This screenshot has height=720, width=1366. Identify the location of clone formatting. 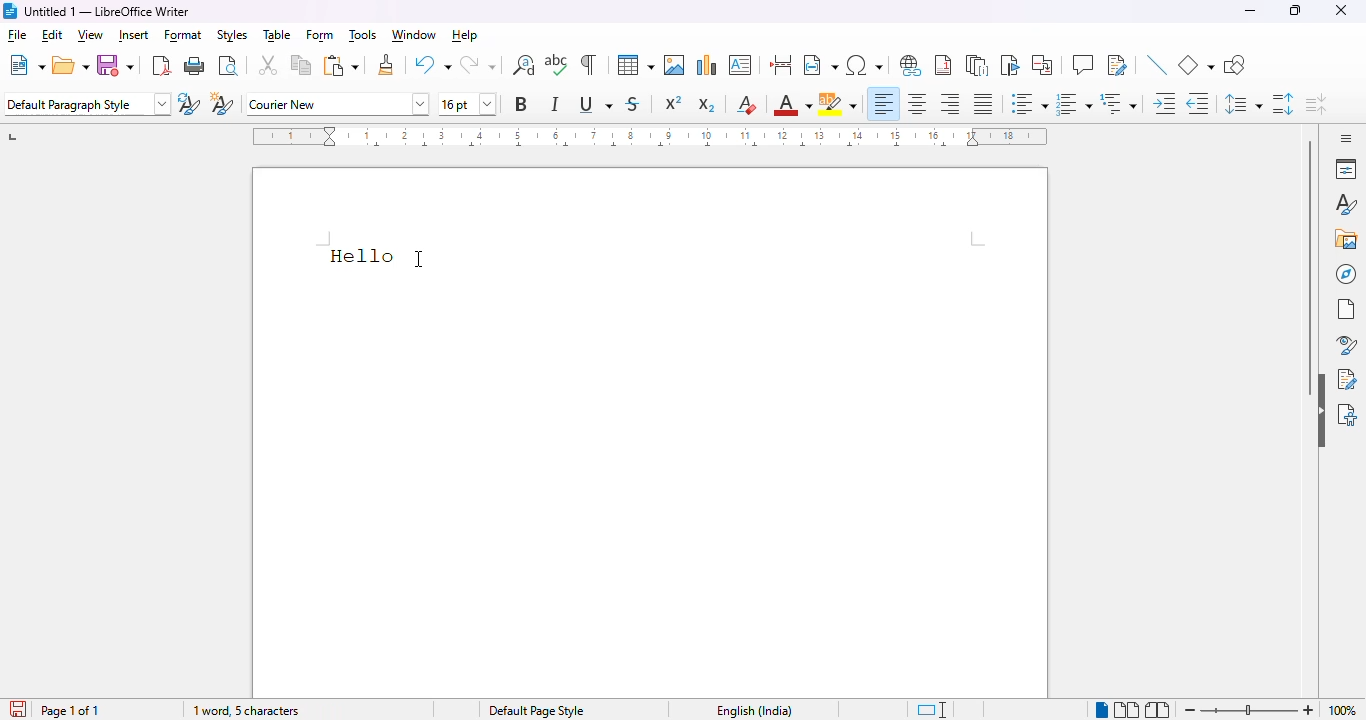
(386, 63).